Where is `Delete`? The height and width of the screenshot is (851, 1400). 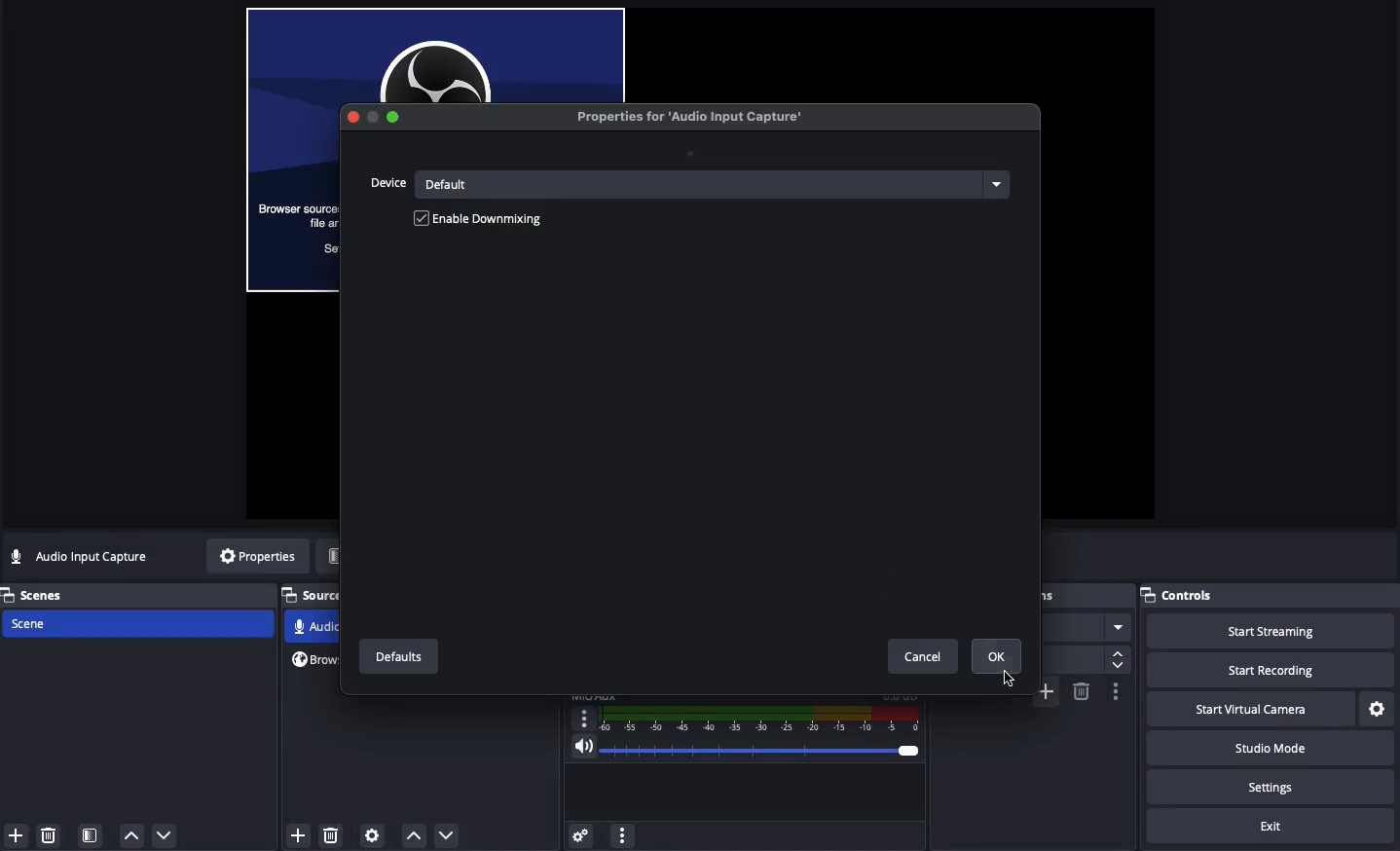
Delete is located at coordinates (330, 834).